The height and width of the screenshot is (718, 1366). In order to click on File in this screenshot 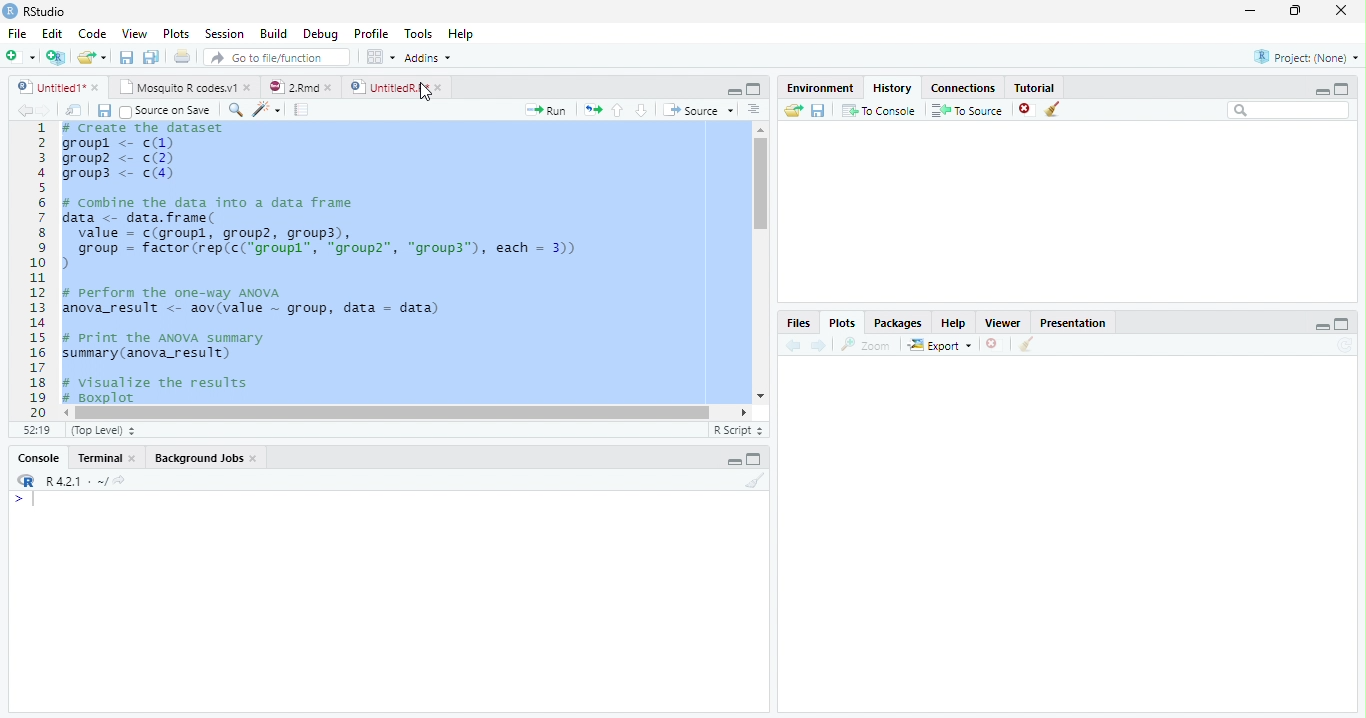, I will do `click(15, 31)`.